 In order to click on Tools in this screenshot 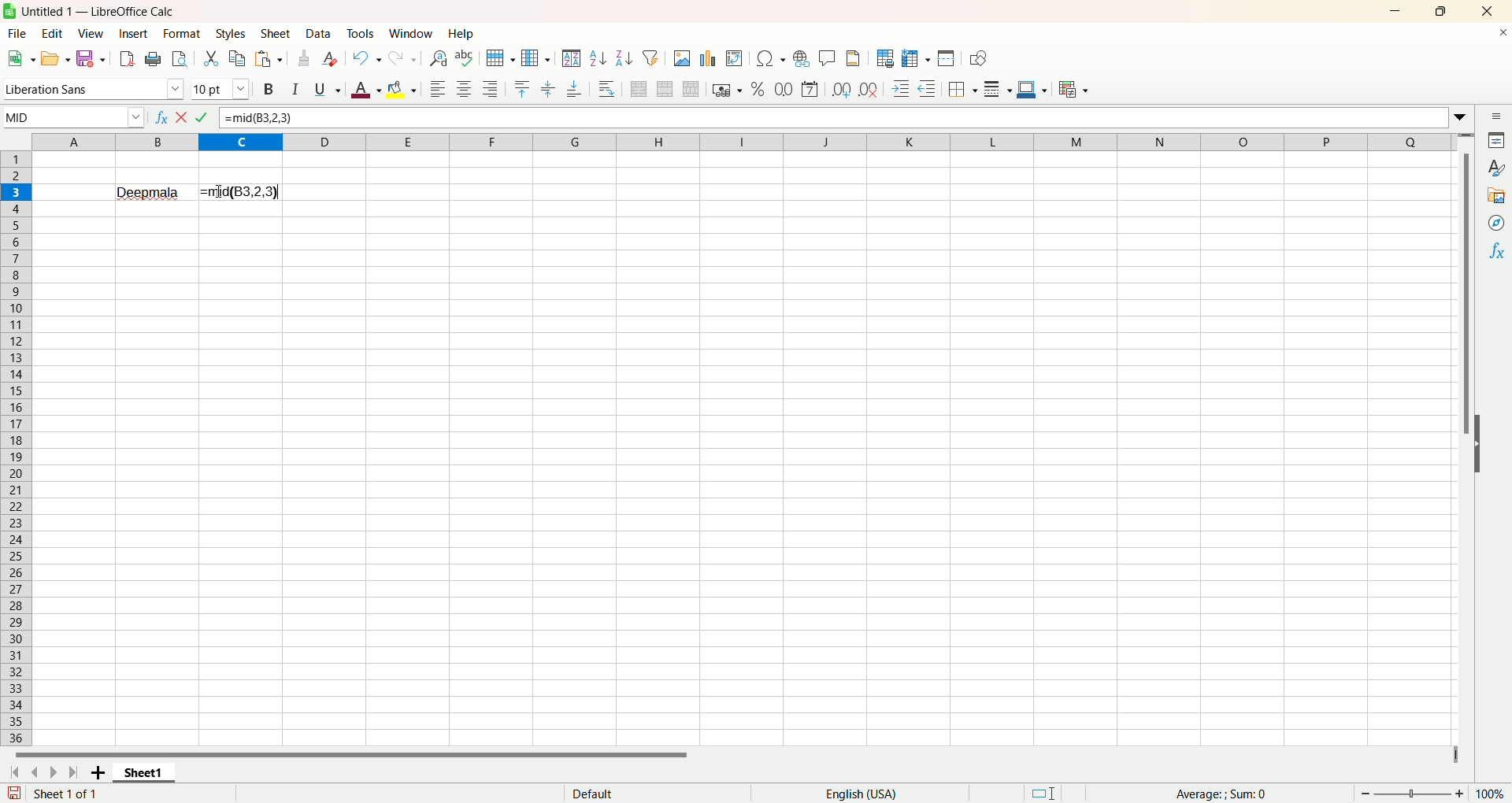, I will do `click(361, 33)`.